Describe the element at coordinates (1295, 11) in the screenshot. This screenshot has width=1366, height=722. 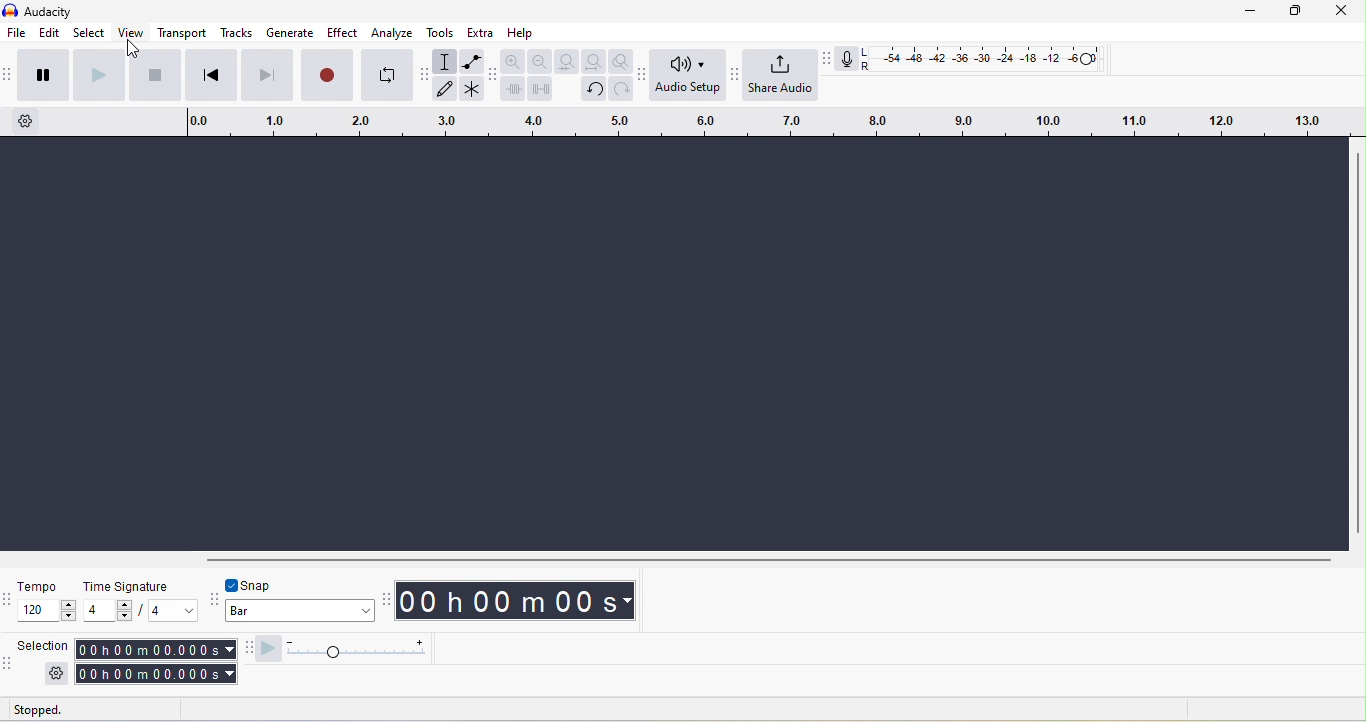
I see `maximize` at that location.